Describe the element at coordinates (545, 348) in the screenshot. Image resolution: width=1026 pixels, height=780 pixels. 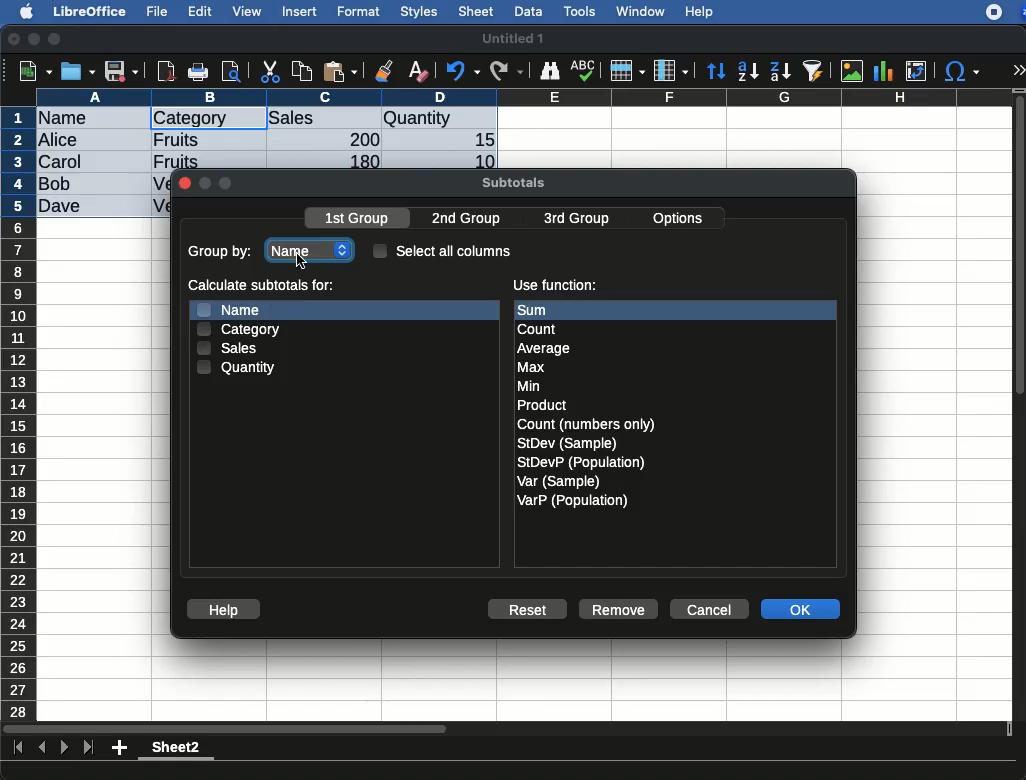
I see `Average` at that location.